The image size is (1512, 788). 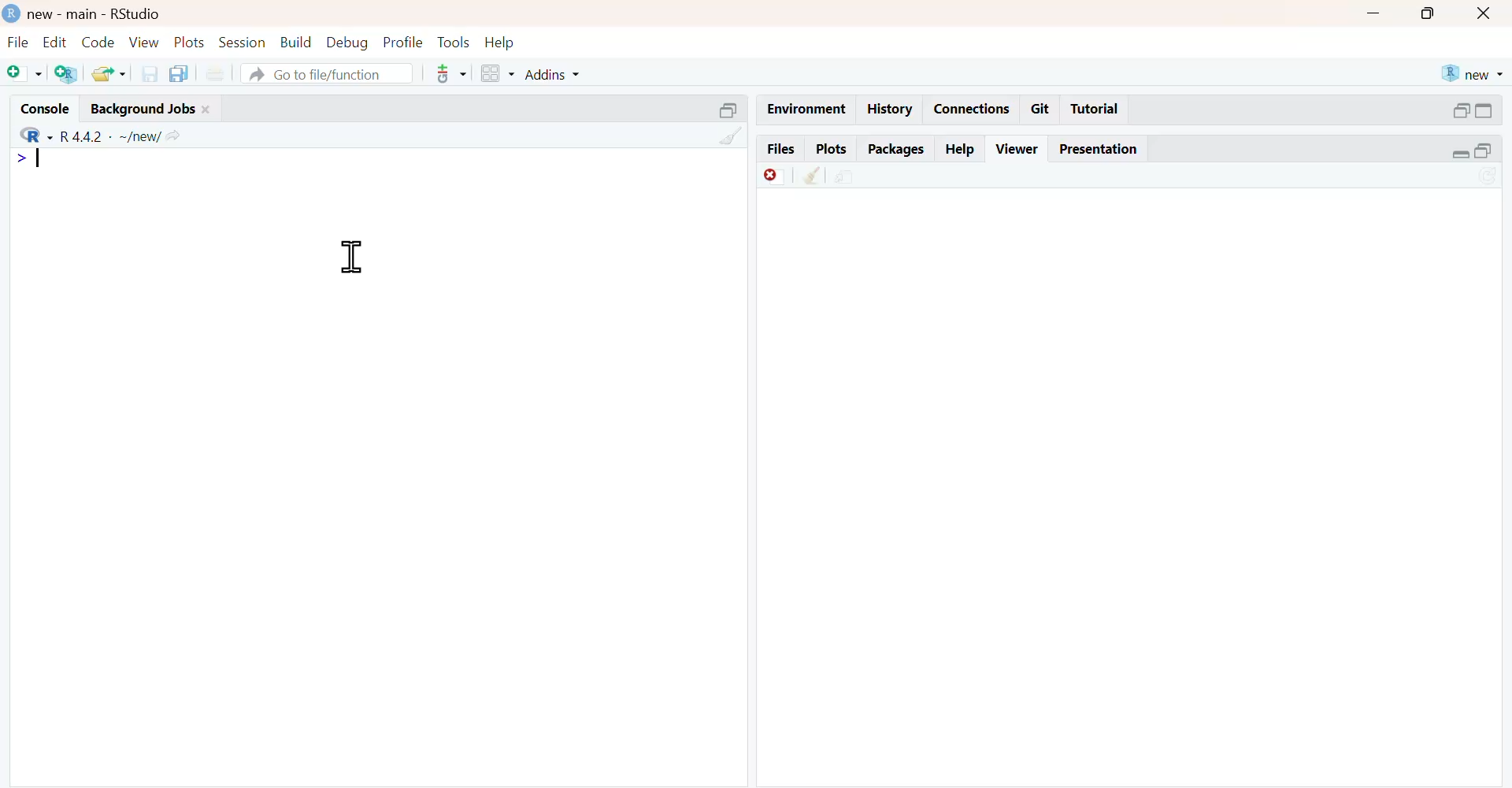 I want to click on close, so click(x=207, y=110).